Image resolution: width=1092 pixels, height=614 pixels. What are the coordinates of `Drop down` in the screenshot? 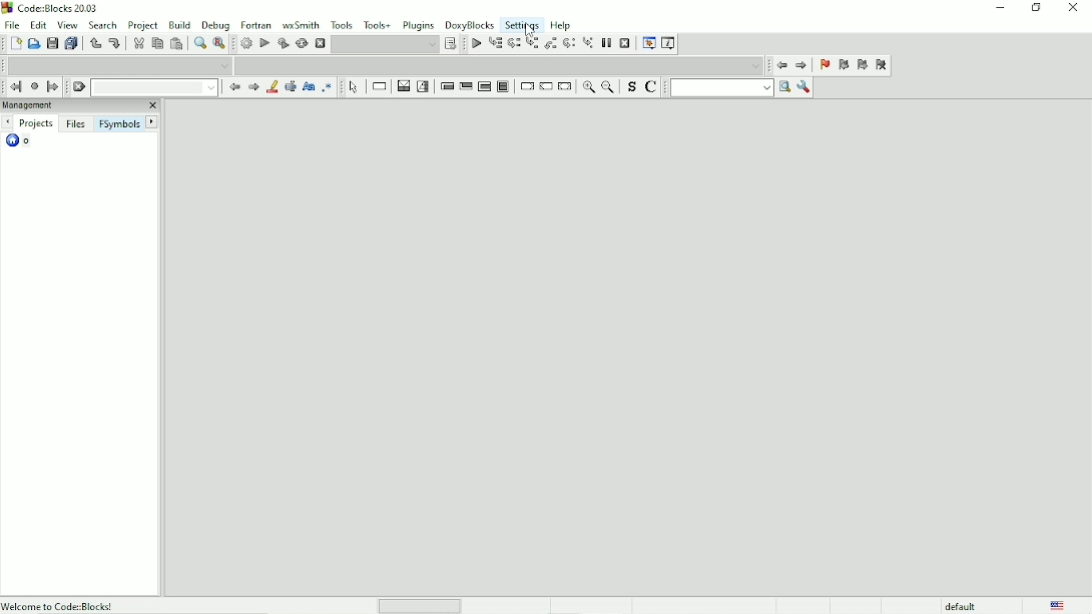 It's located at (119, 66).